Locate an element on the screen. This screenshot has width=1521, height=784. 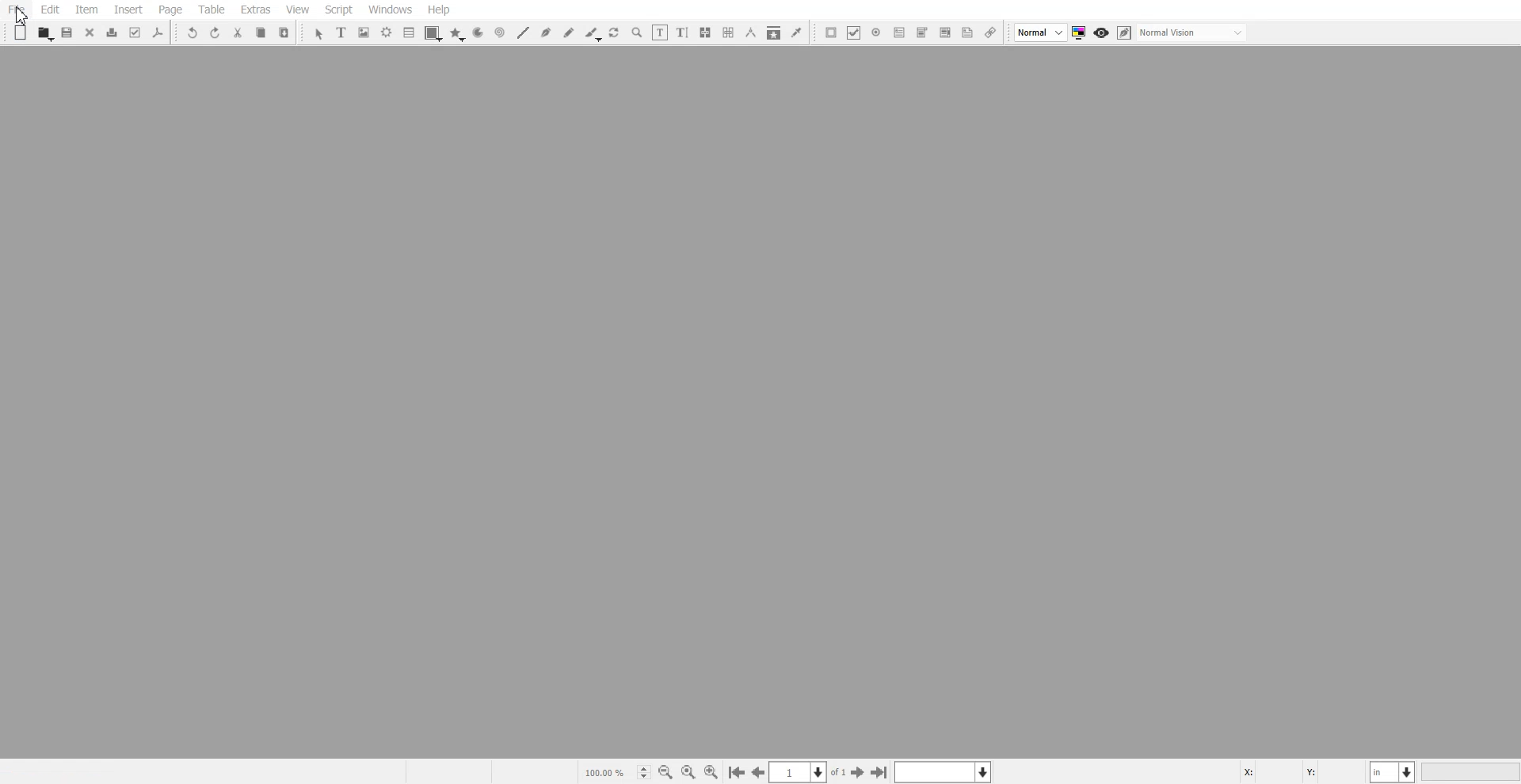
Go to the first page is located at coordinates (736, 773).